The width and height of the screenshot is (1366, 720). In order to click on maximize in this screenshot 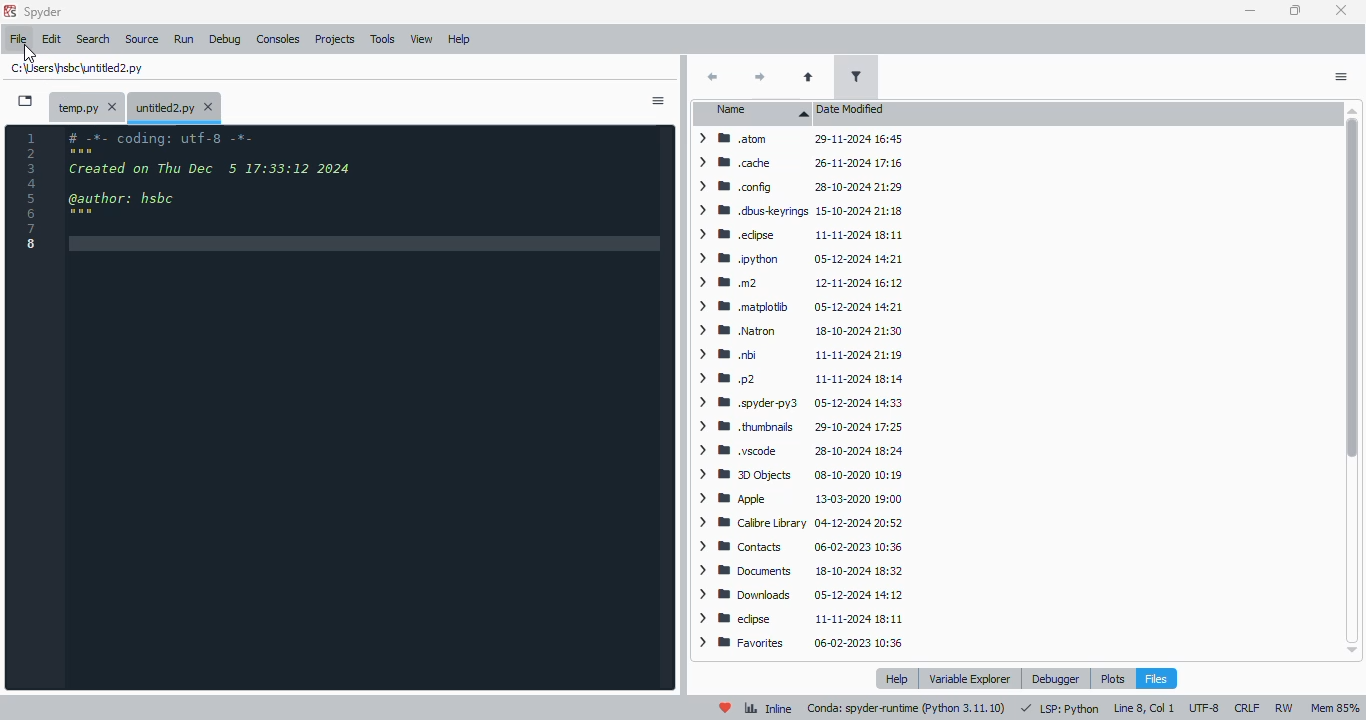, I will do `click(1297, 10)`.